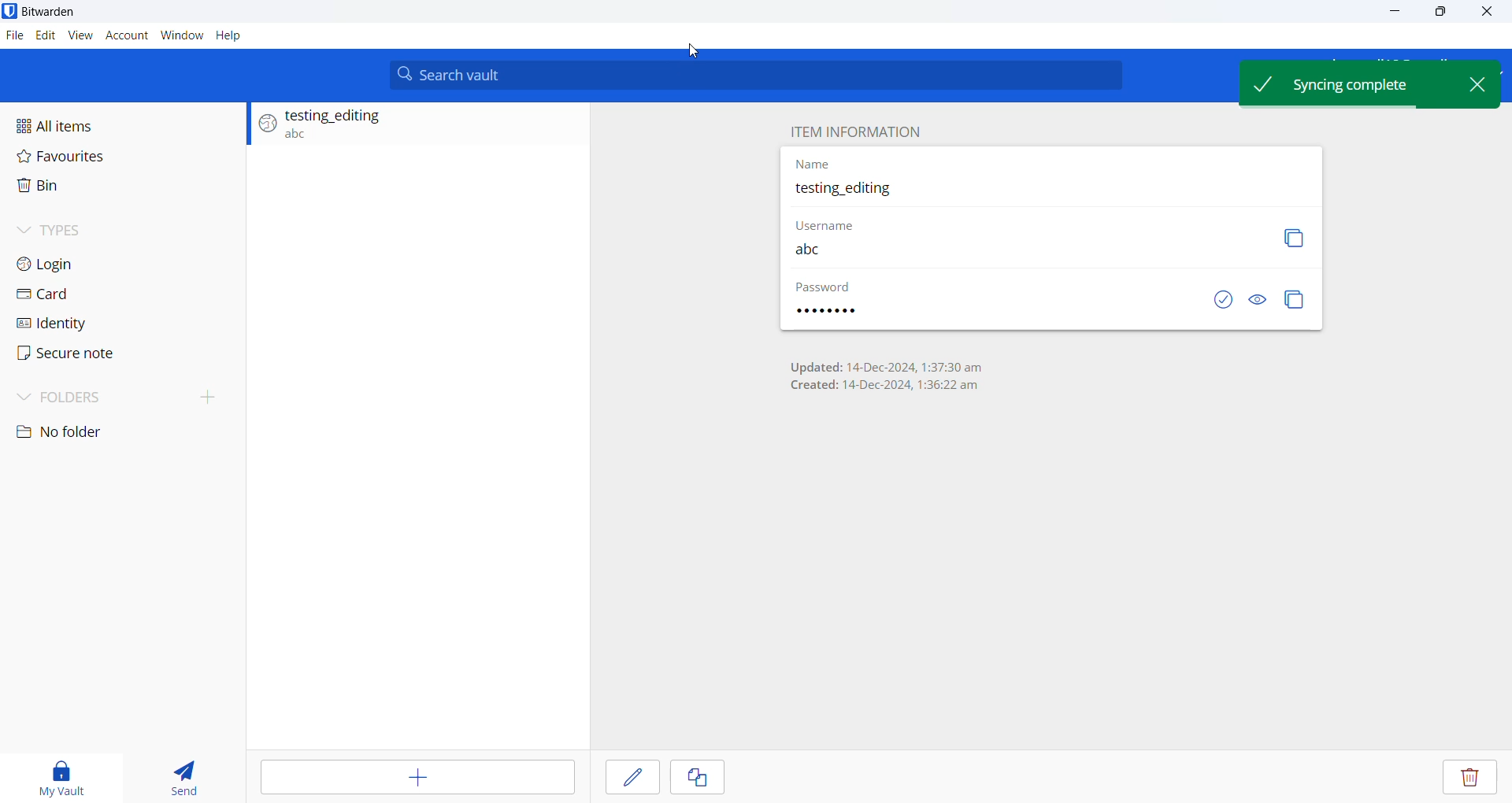 This screenshot has width=1512, height=803. Describe the element at coordinates (632, 779) in the screenshot. I see `save` at that location.